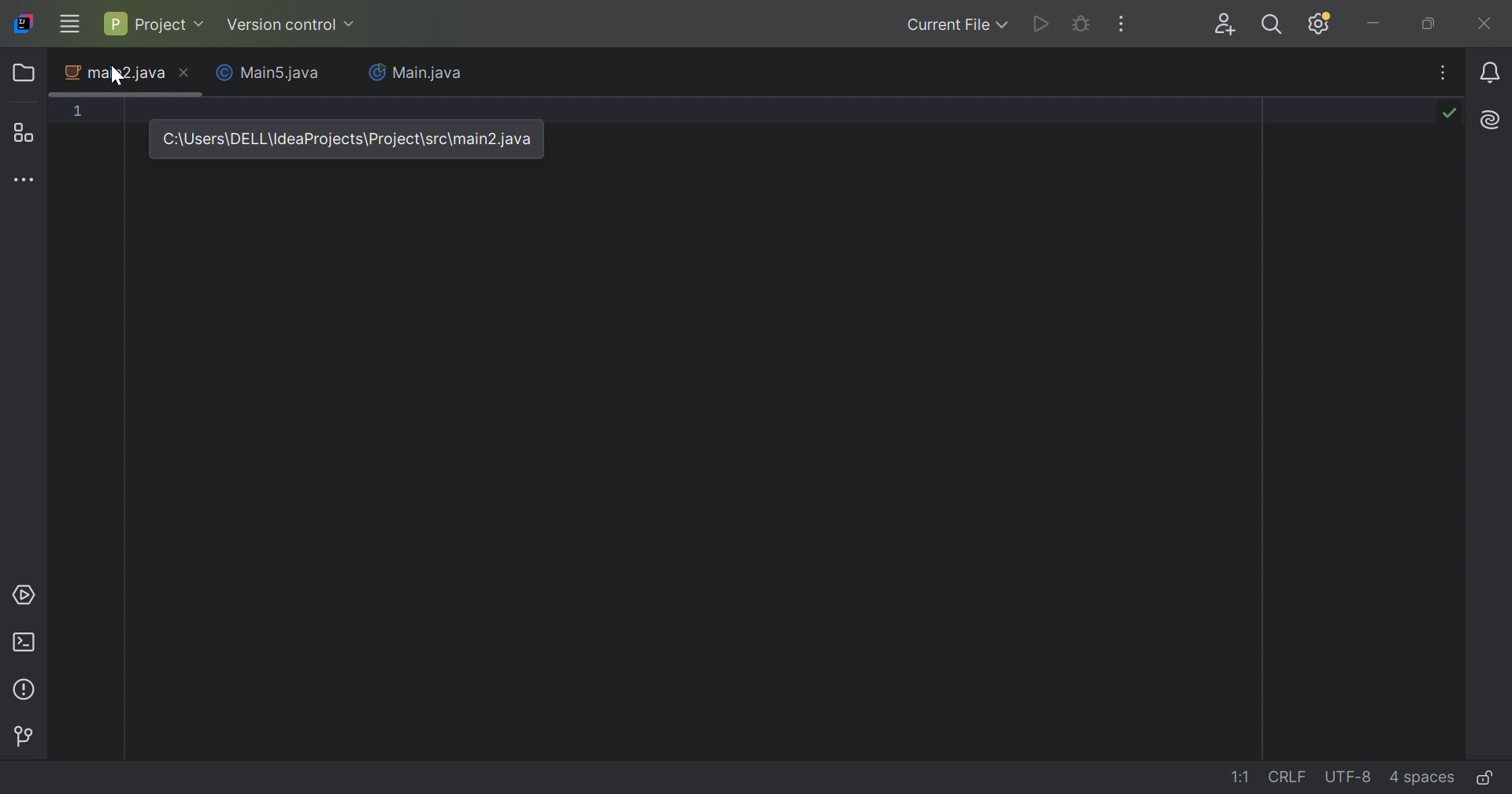 The image size is (1512, 794). I want to click on Notifications, so click(1493, 73).